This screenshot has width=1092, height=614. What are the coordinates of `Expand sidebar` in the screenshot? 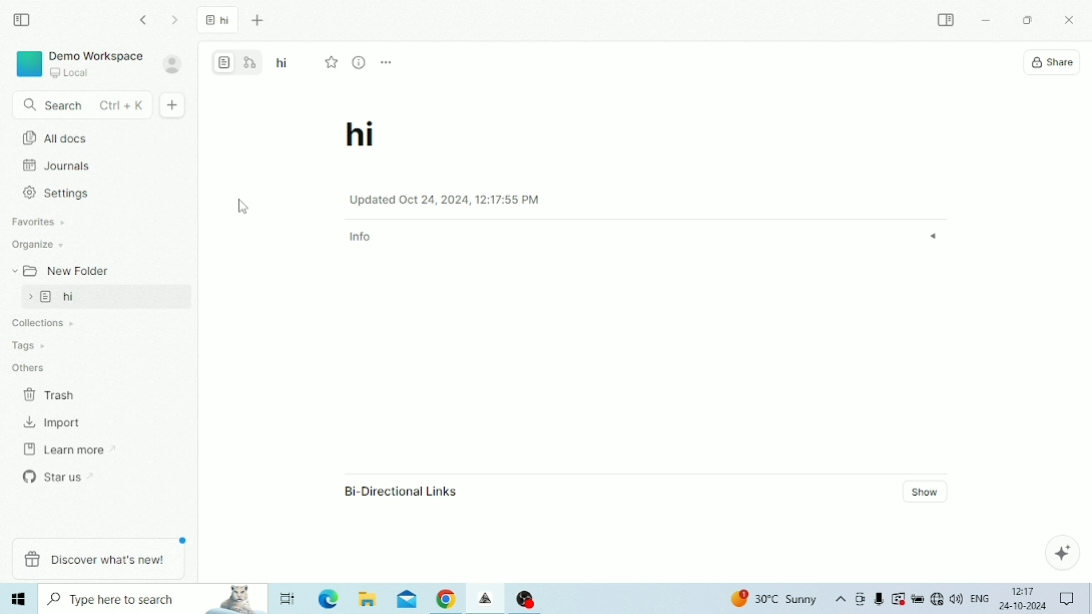 It's located at (947, 19).